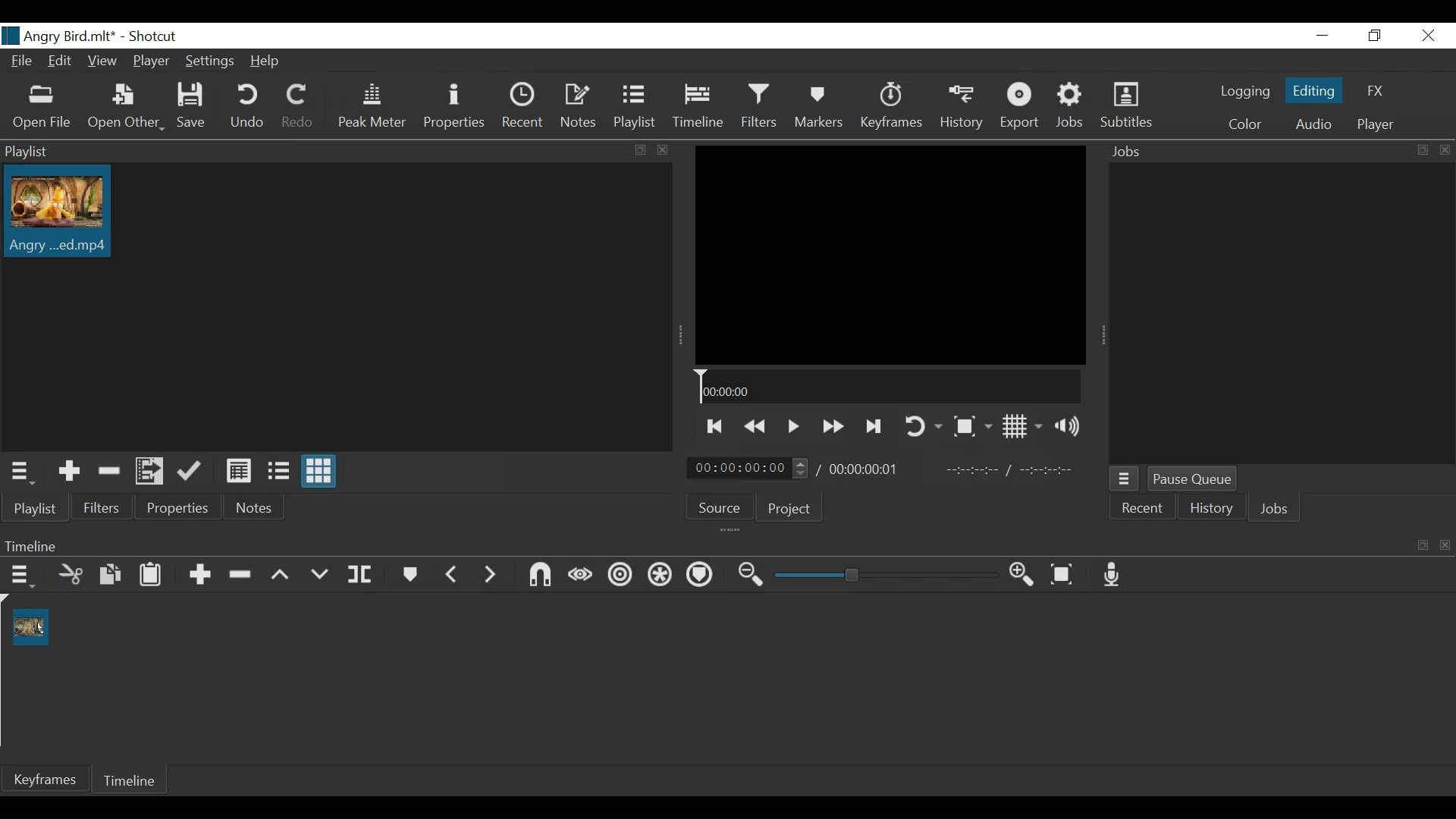 Image resolution: width=1456 pixels, height=819 pixels. Describe the element at coordinates (581, 576) in the screenshot. I see `Scrub while dragging` at that location.